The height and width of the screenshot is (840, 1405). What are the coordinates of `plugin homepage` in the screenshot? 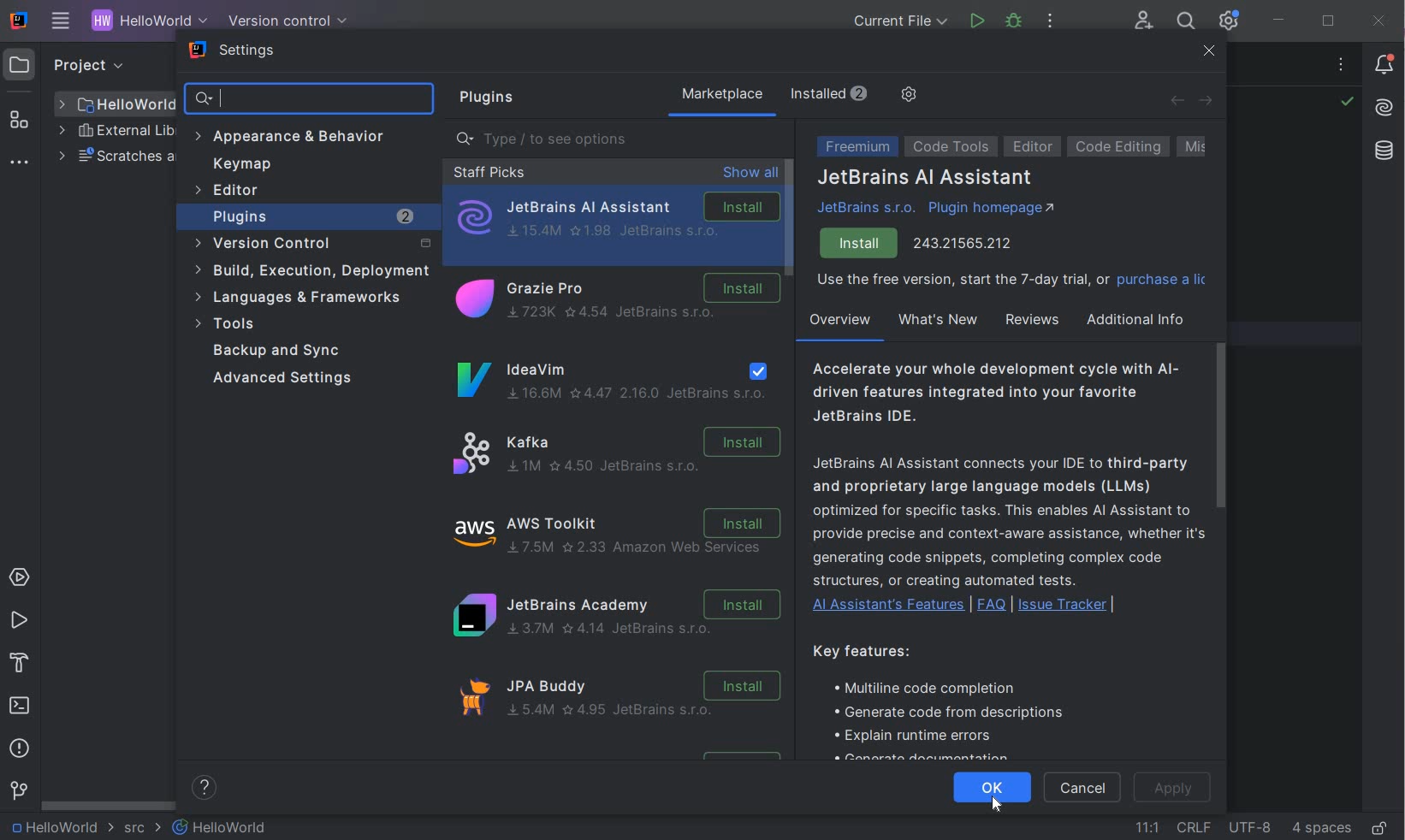 It's located at (992, 210).